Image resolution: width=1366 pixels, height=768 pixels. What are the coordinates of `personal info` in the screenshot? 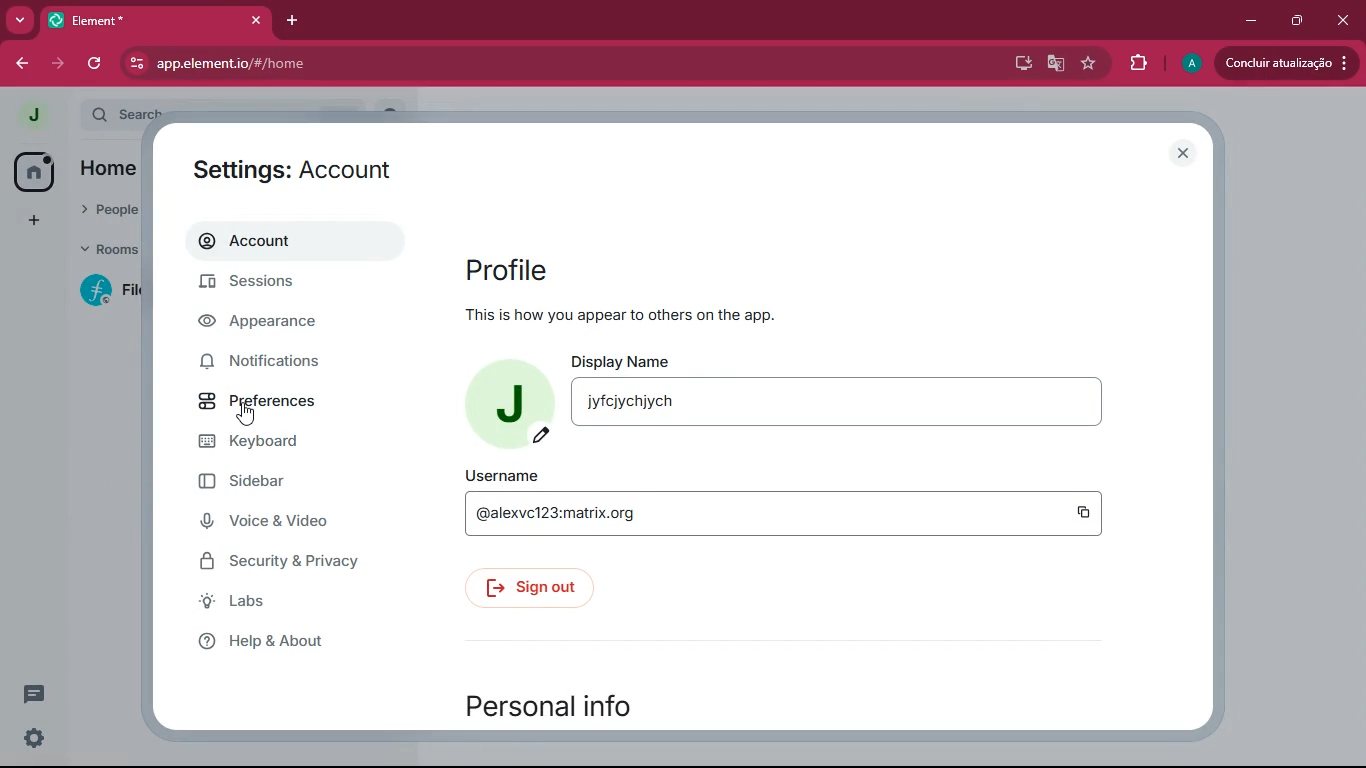 It's located at (591, 701).